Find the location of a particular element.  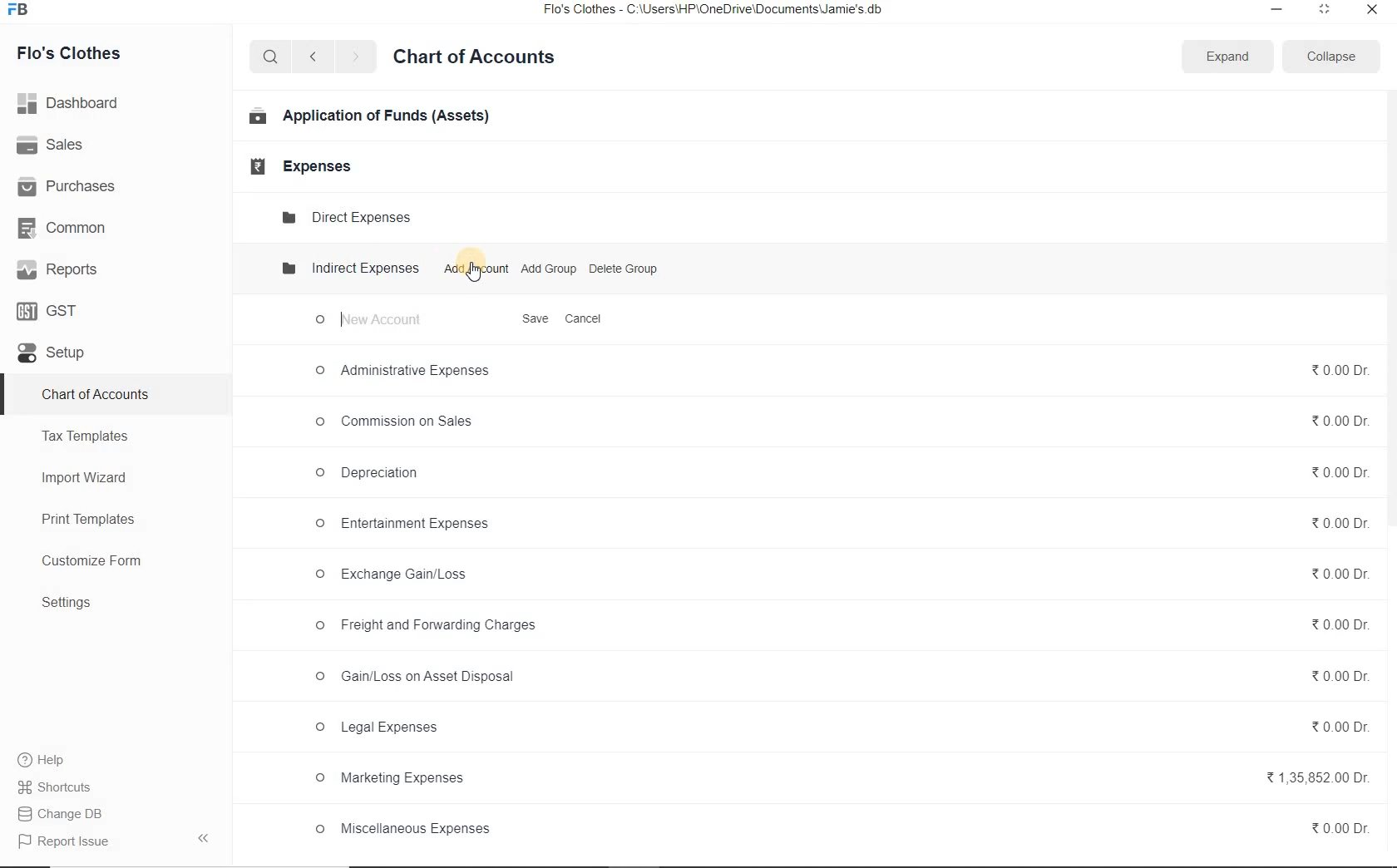

new account is located at coordinates (365, 321).